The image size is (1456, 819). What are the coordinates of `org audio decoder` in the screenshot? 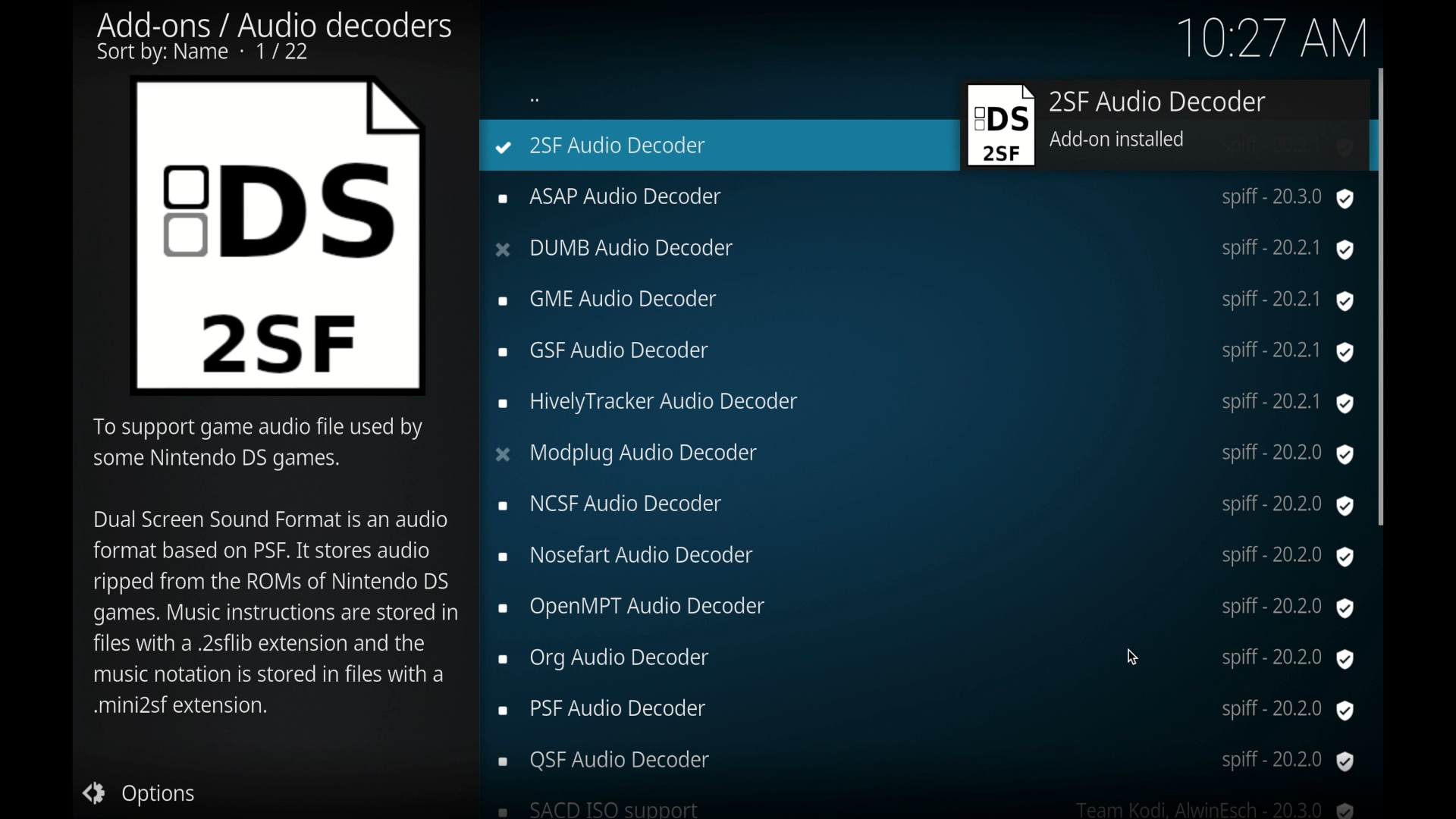 It's located at (925, 657).